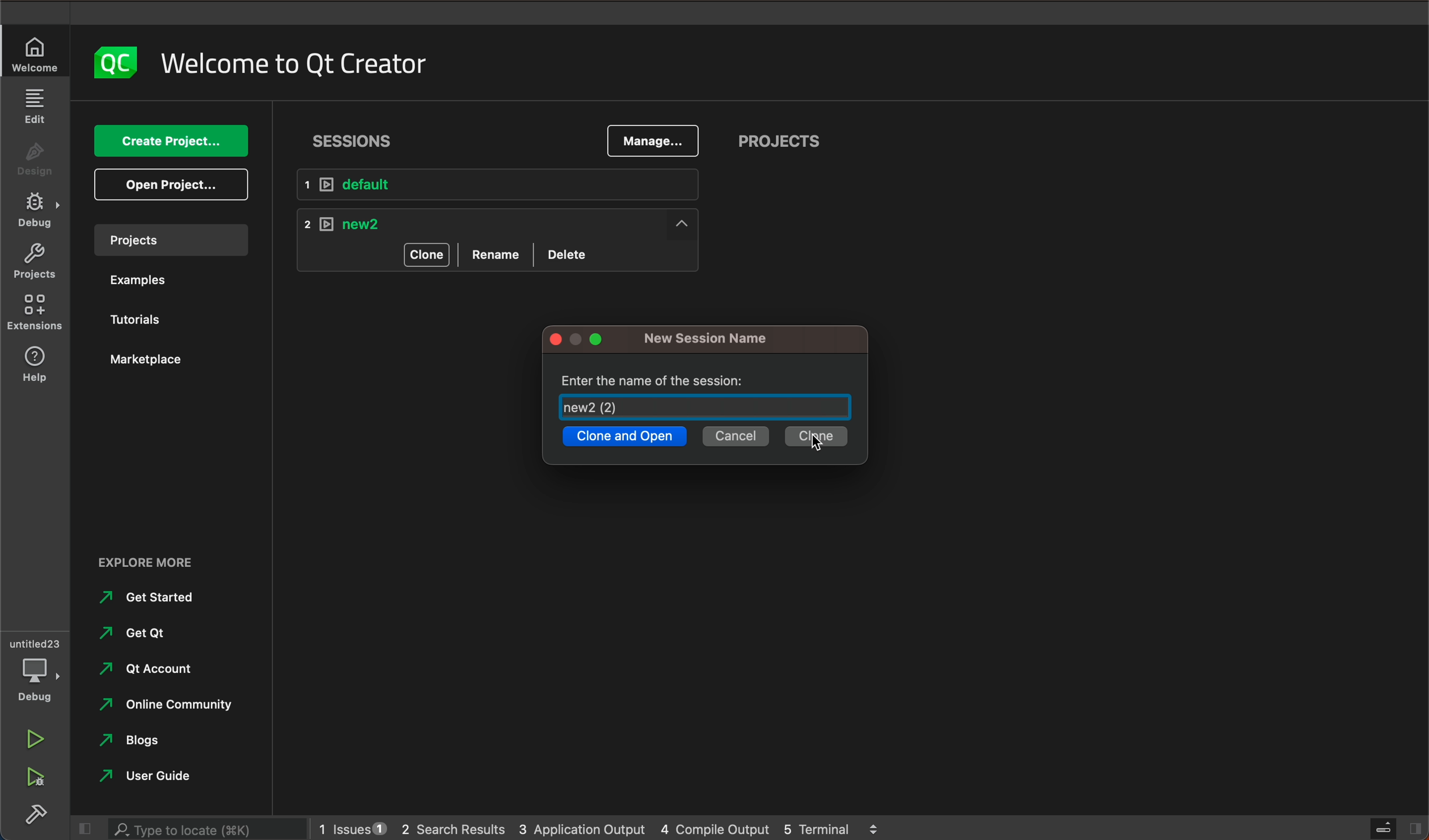 The height and width of the screenshot is (840, 1429). What do you see at coordinates (168, 238) in the screenshot?
I see `project` at bounding box center [168, 238].